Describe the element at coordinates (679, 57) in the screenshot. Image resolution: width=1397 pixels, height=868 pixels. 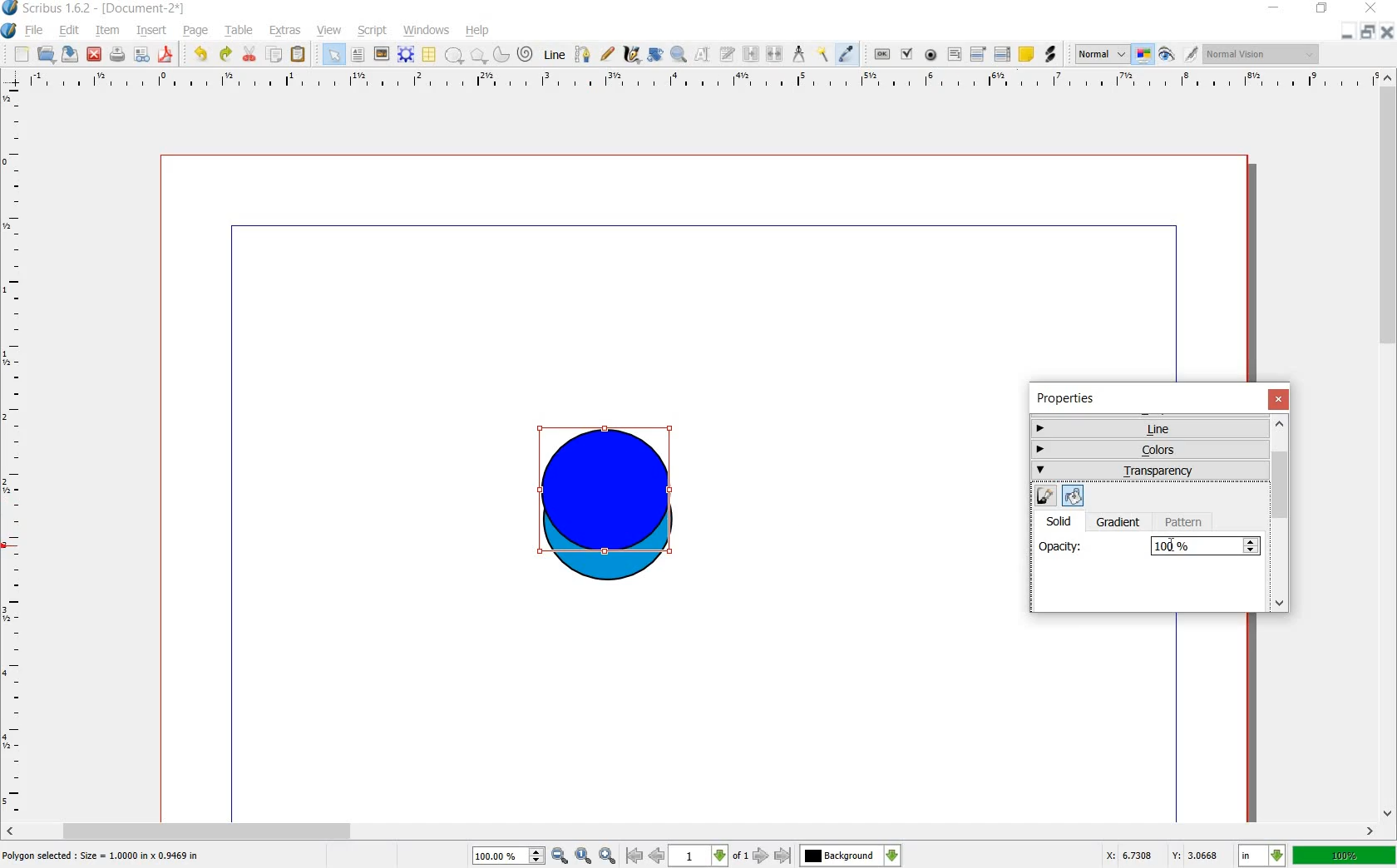
I see `zoom in or out` at that location.